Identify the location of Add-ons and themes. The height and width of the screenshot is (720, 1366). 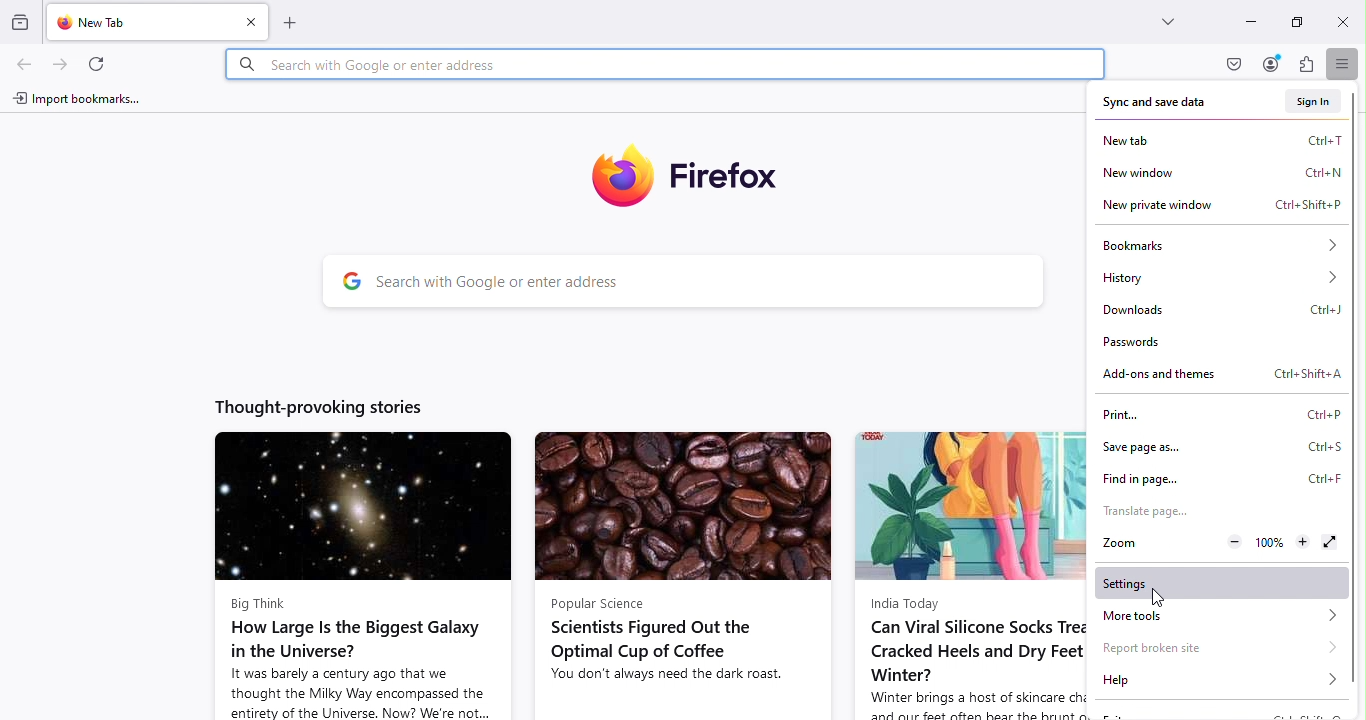
(1223, 375).